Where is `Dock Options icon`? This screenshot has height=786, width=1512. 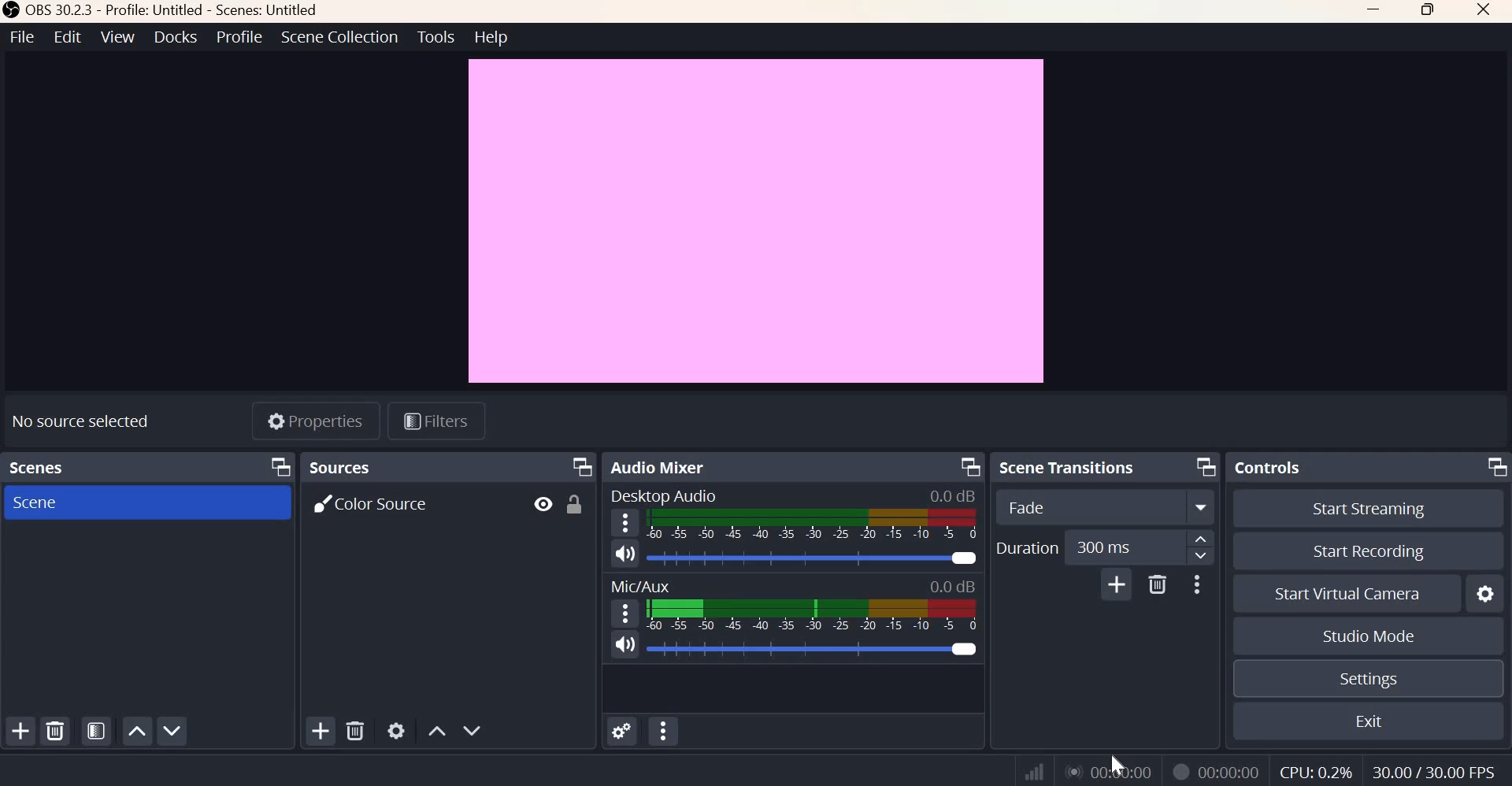
Dock Options icon is located at coordinates (966, 467).